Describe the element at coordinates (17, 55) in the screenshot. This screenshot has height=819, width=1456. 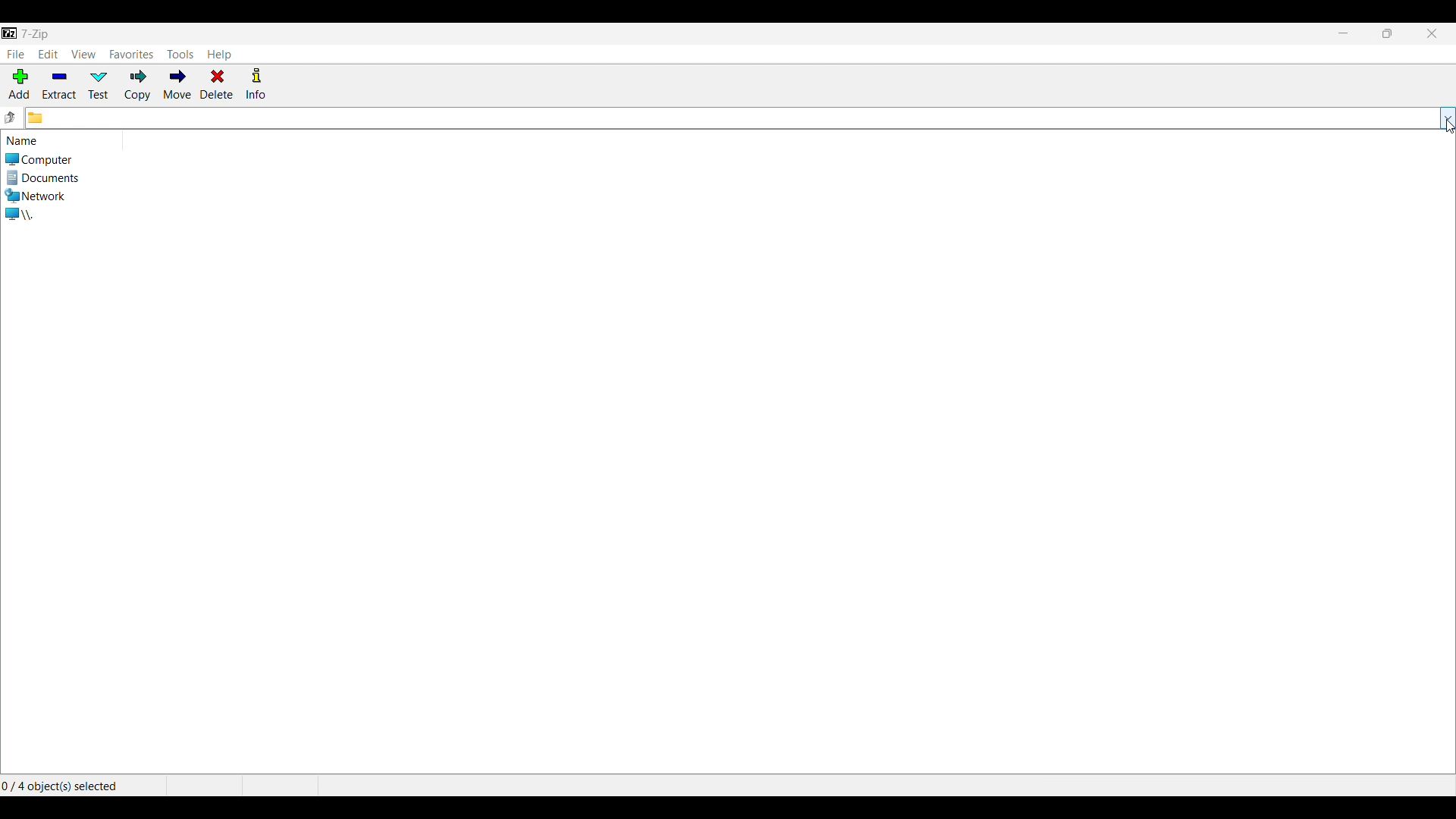
I see `File menu` at that location.